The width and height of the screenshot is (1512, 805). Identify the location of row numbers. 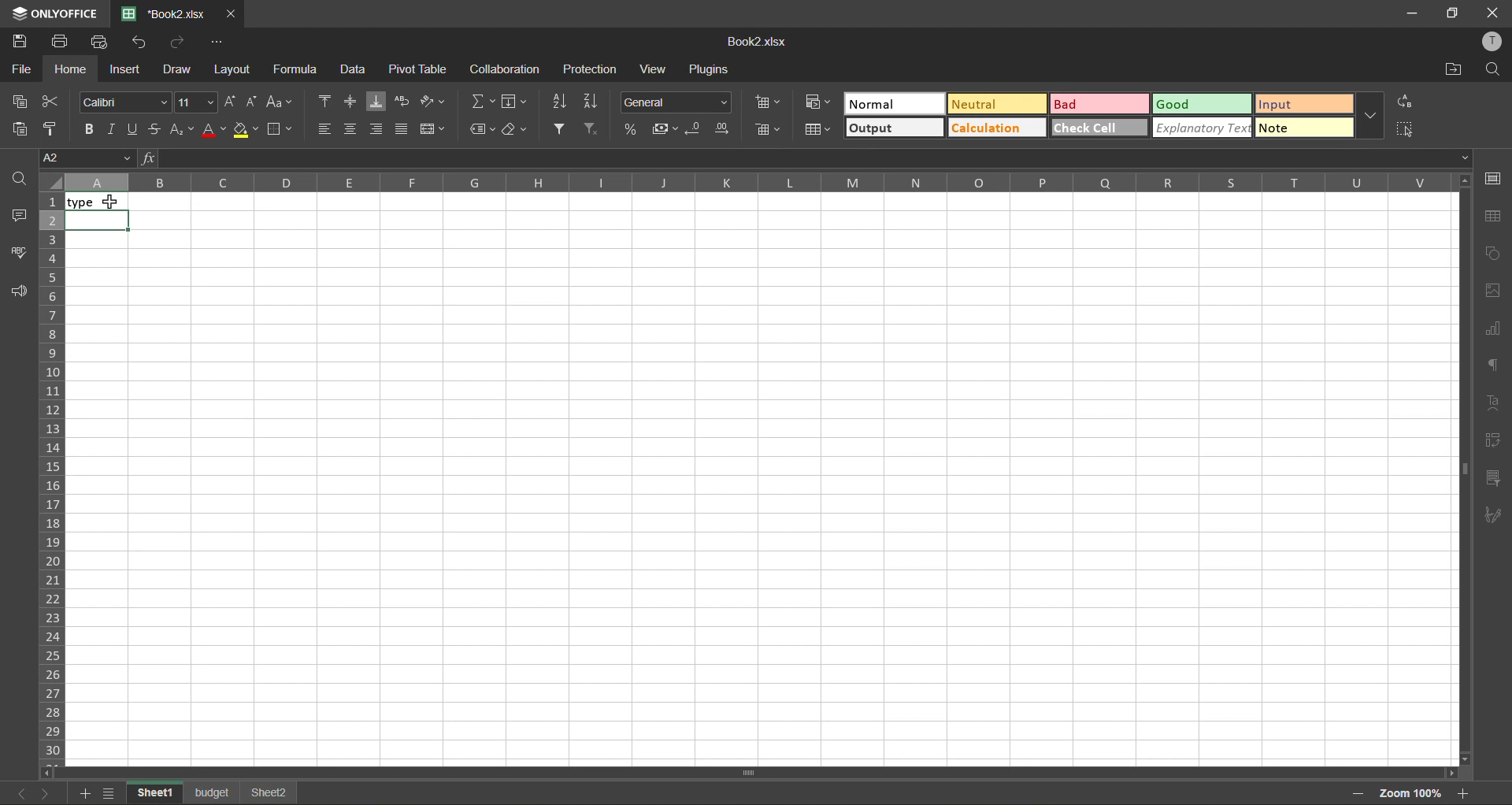
(50, 479).